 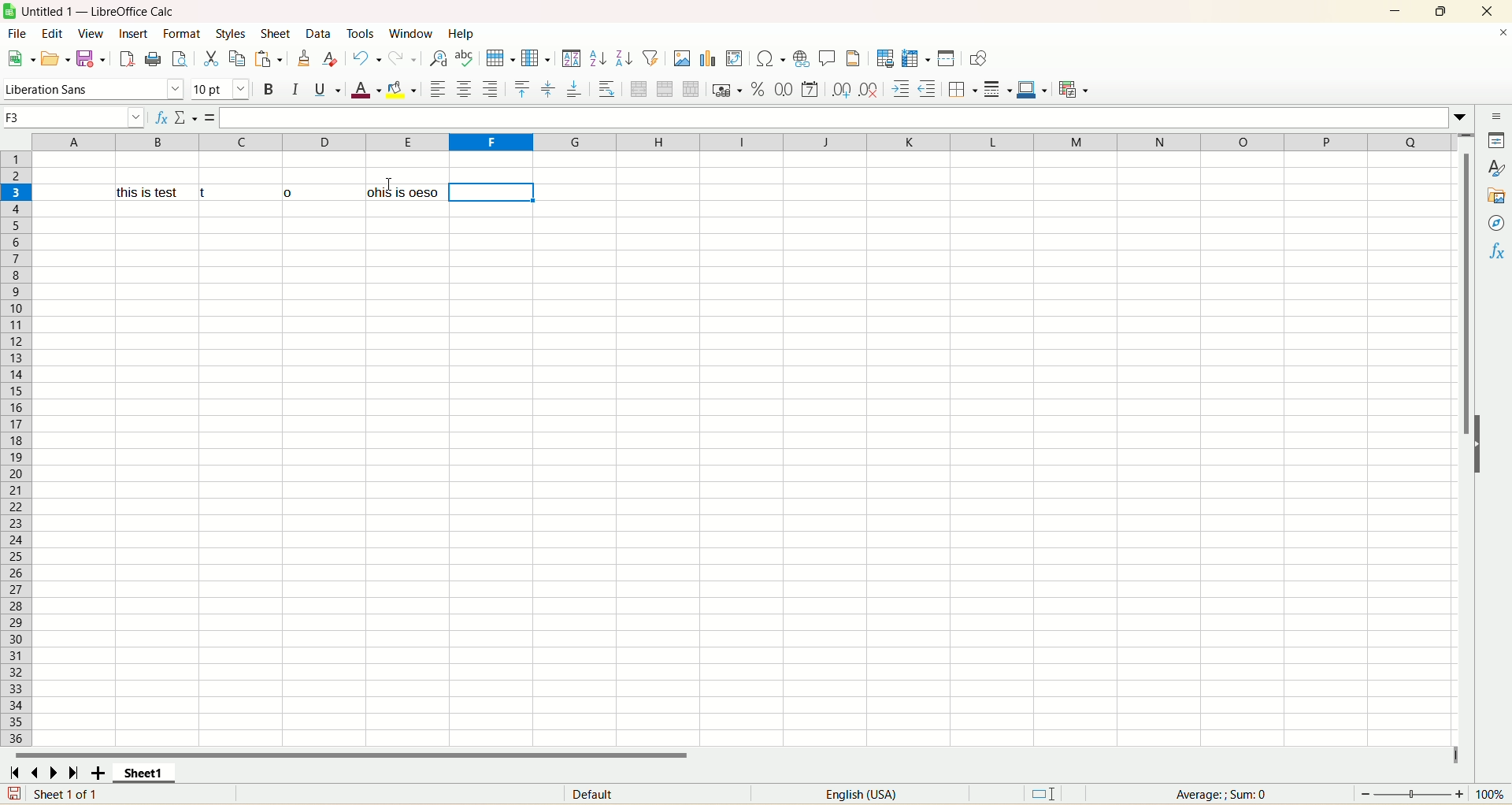 What do you see at coordinates (18, 769) in the screenshot?
I see `scroll to first sheet` at bounding box center [18, 769].